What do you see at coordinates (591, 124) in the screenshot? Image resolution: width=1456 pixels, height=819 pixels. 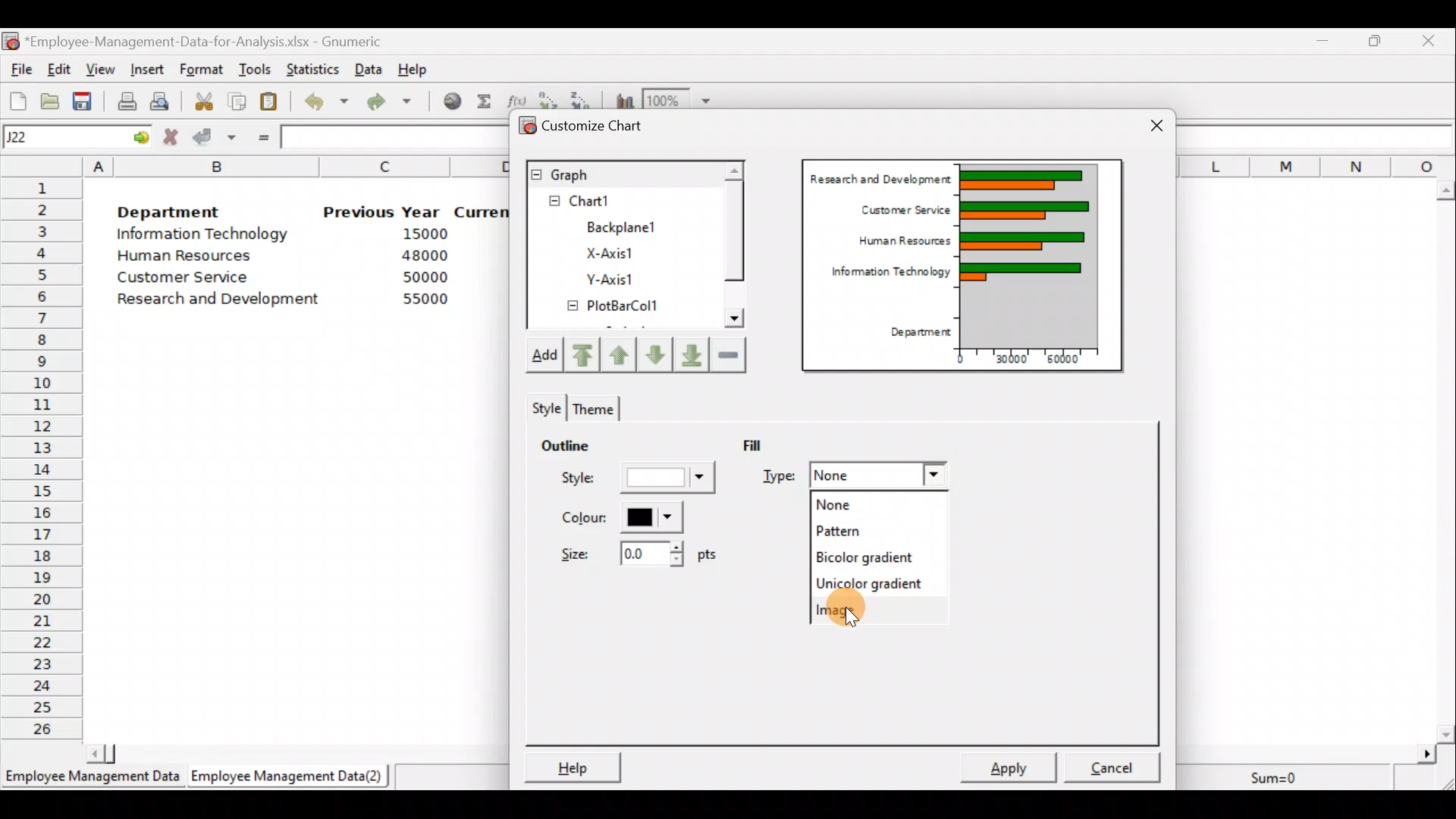 I see `Customize chart` at bounding box center [591, 124].